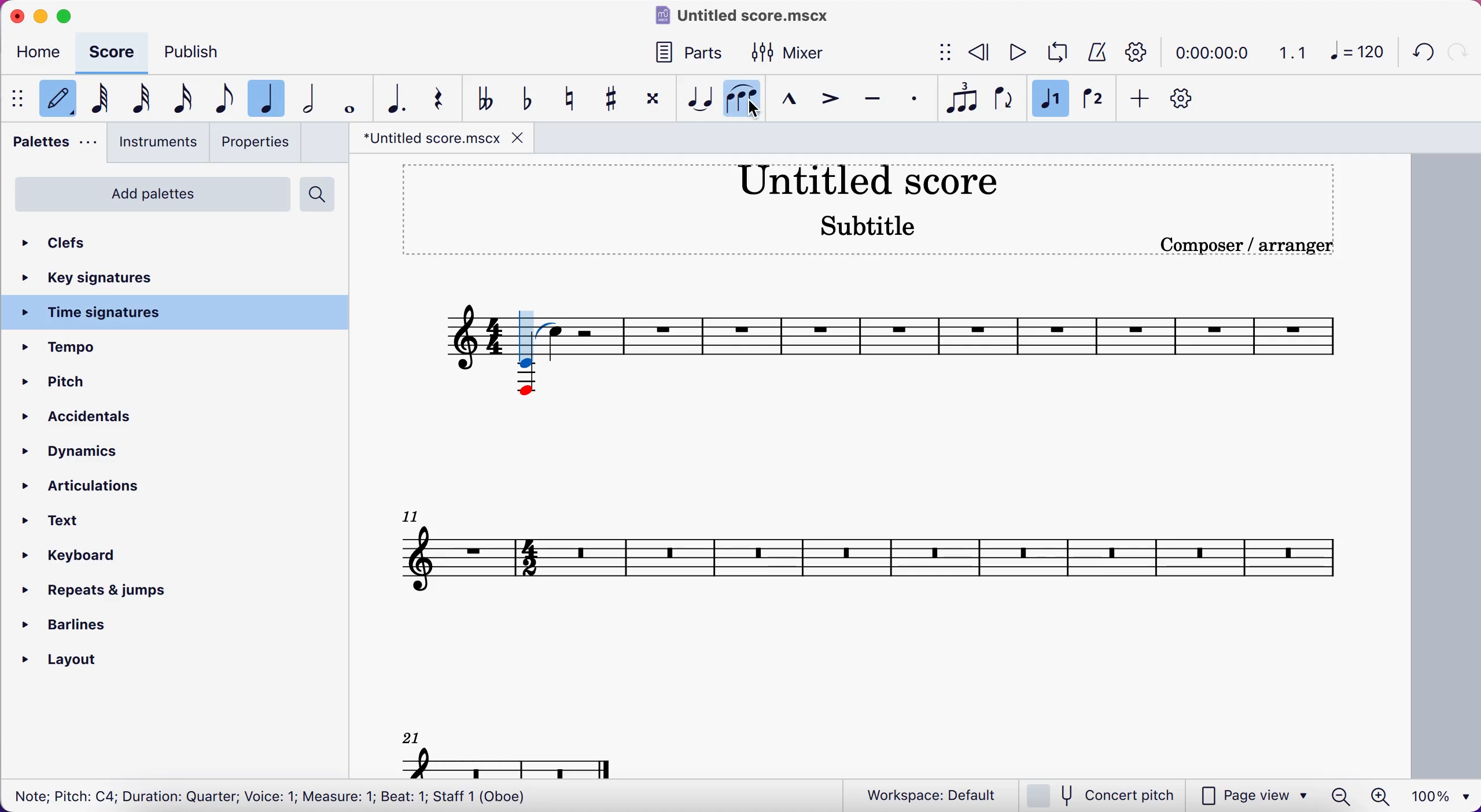  What do you see at coordinates (1053, 53) in the screenshot?
I see `loop playback` at bounding box center [1053, 53].